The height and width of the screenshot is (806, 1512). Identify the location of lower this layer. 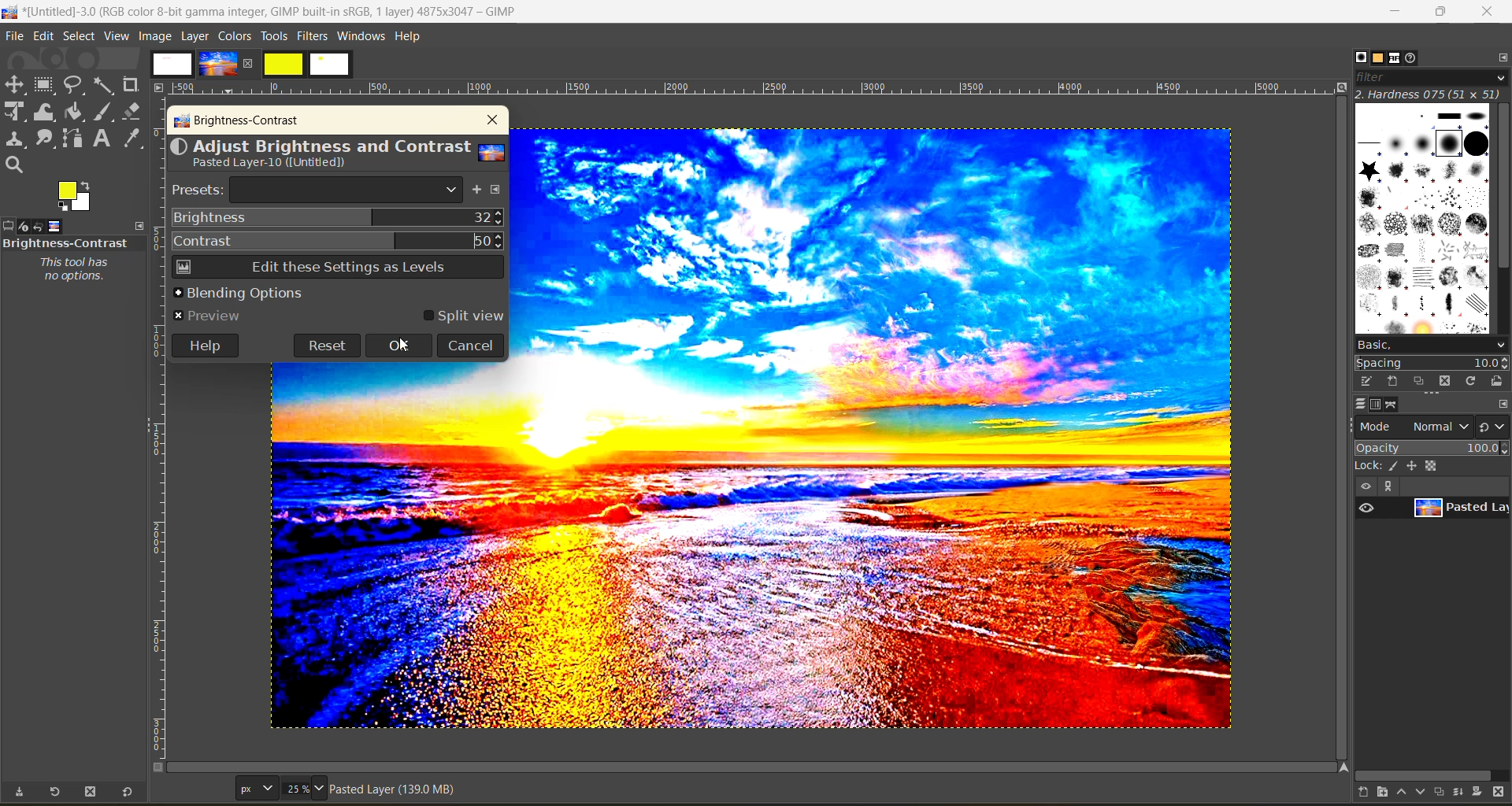
(1422, 793).